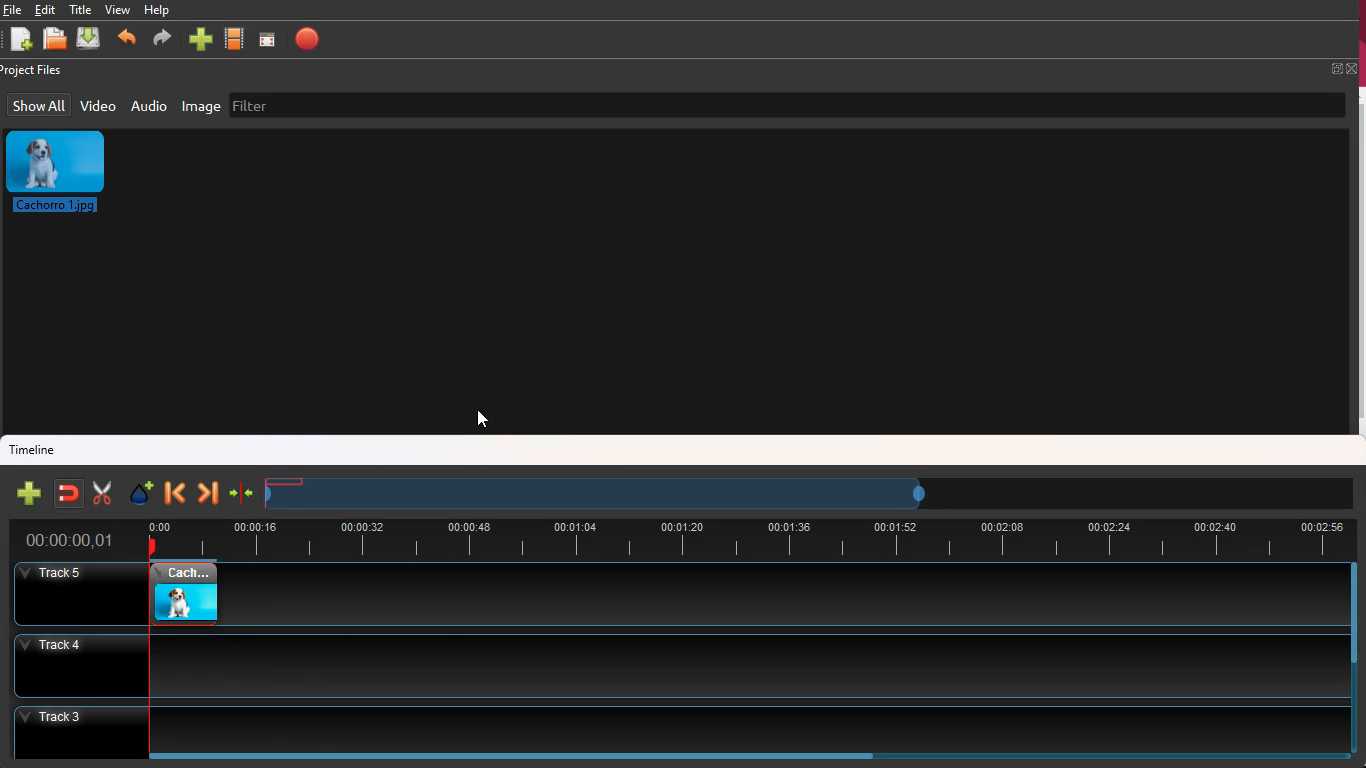 This screenshot has height=768, width=1366. Describe the element at coordinates (55, 40) in the screenshot. I see `open` at that location.